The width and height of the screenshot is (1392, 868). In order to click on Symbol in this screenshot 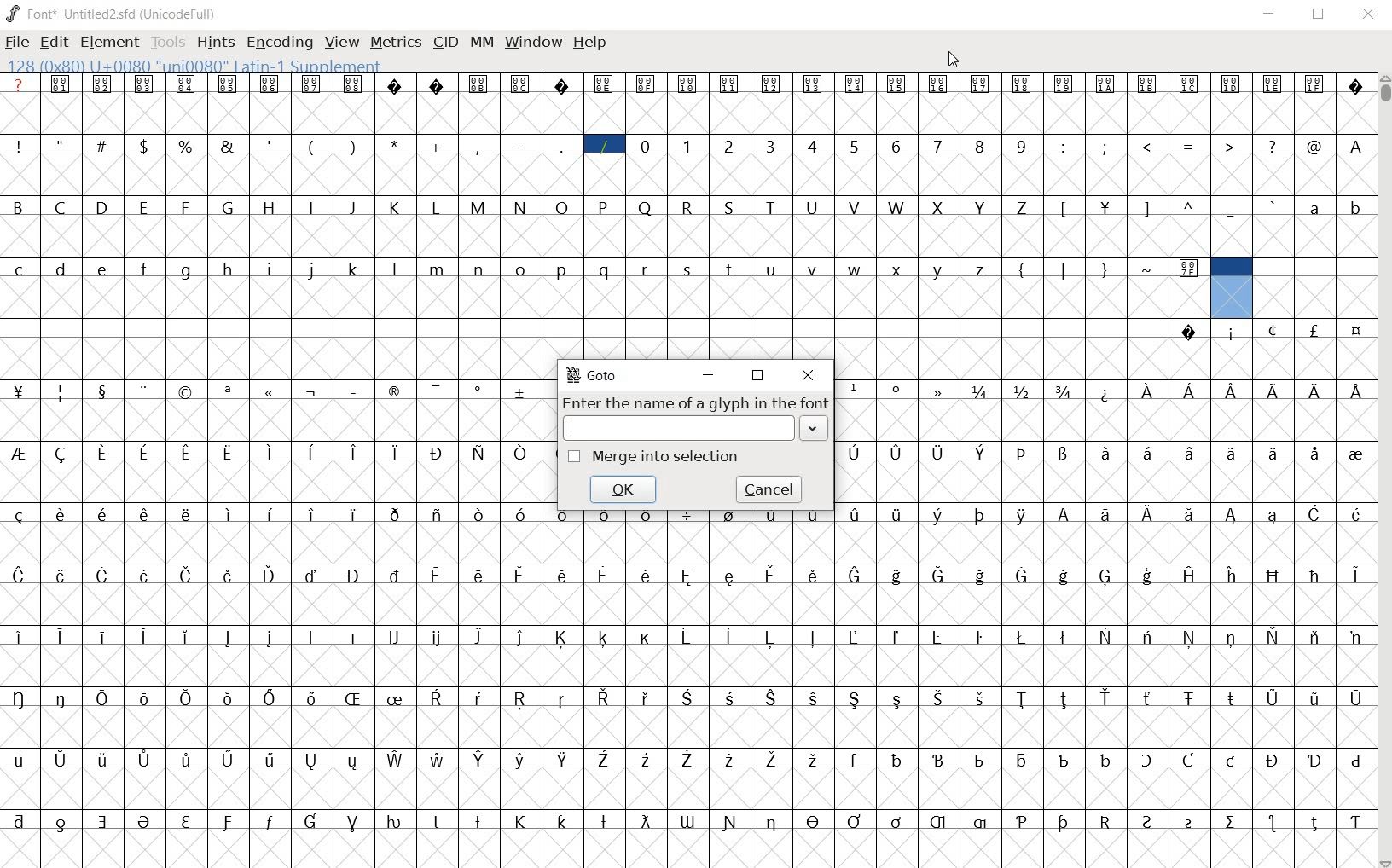, I will do `click(148, 698)`.